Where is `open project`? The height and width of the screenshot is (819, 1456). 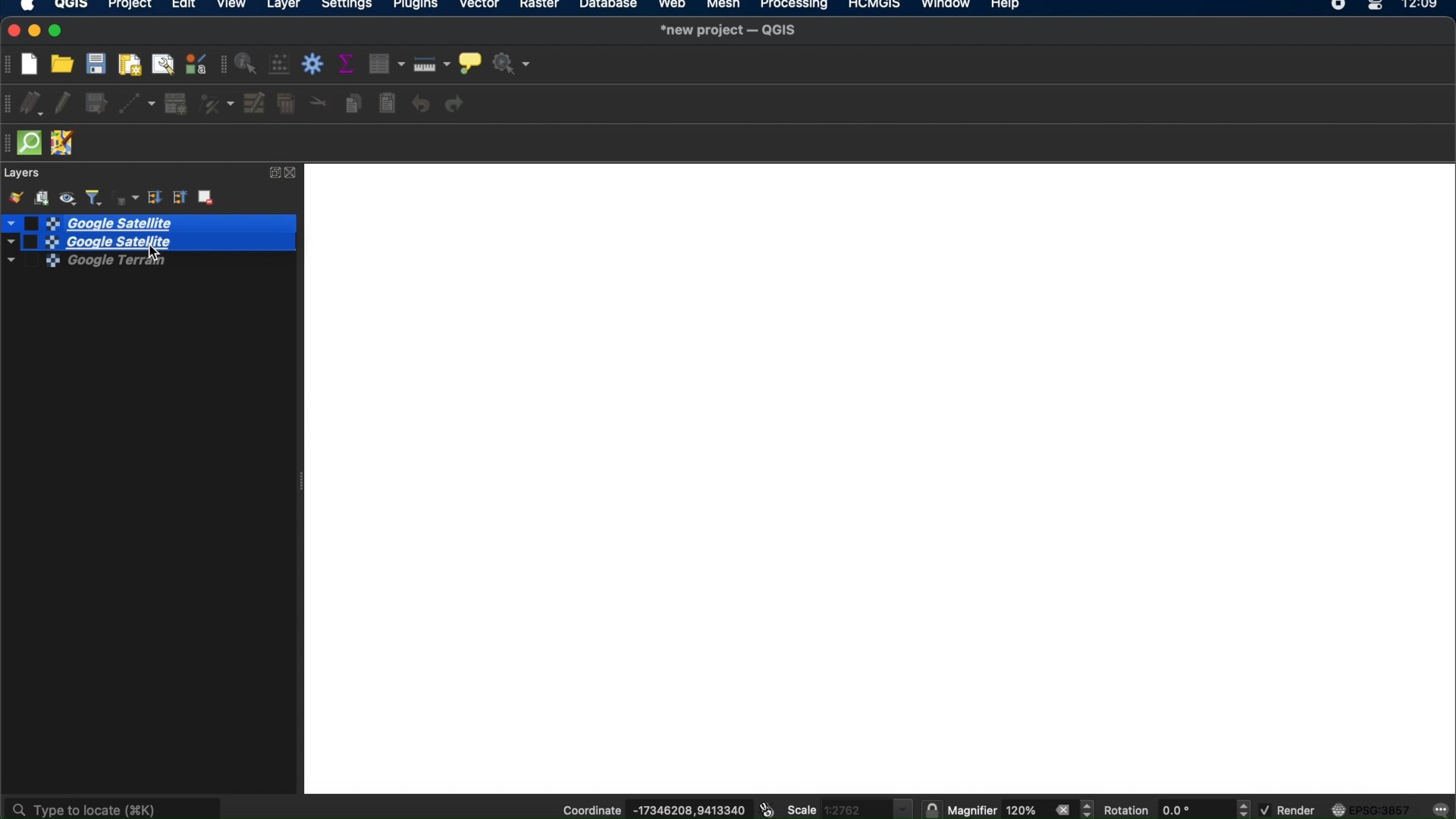 open project is located at coordinates (64, 64).